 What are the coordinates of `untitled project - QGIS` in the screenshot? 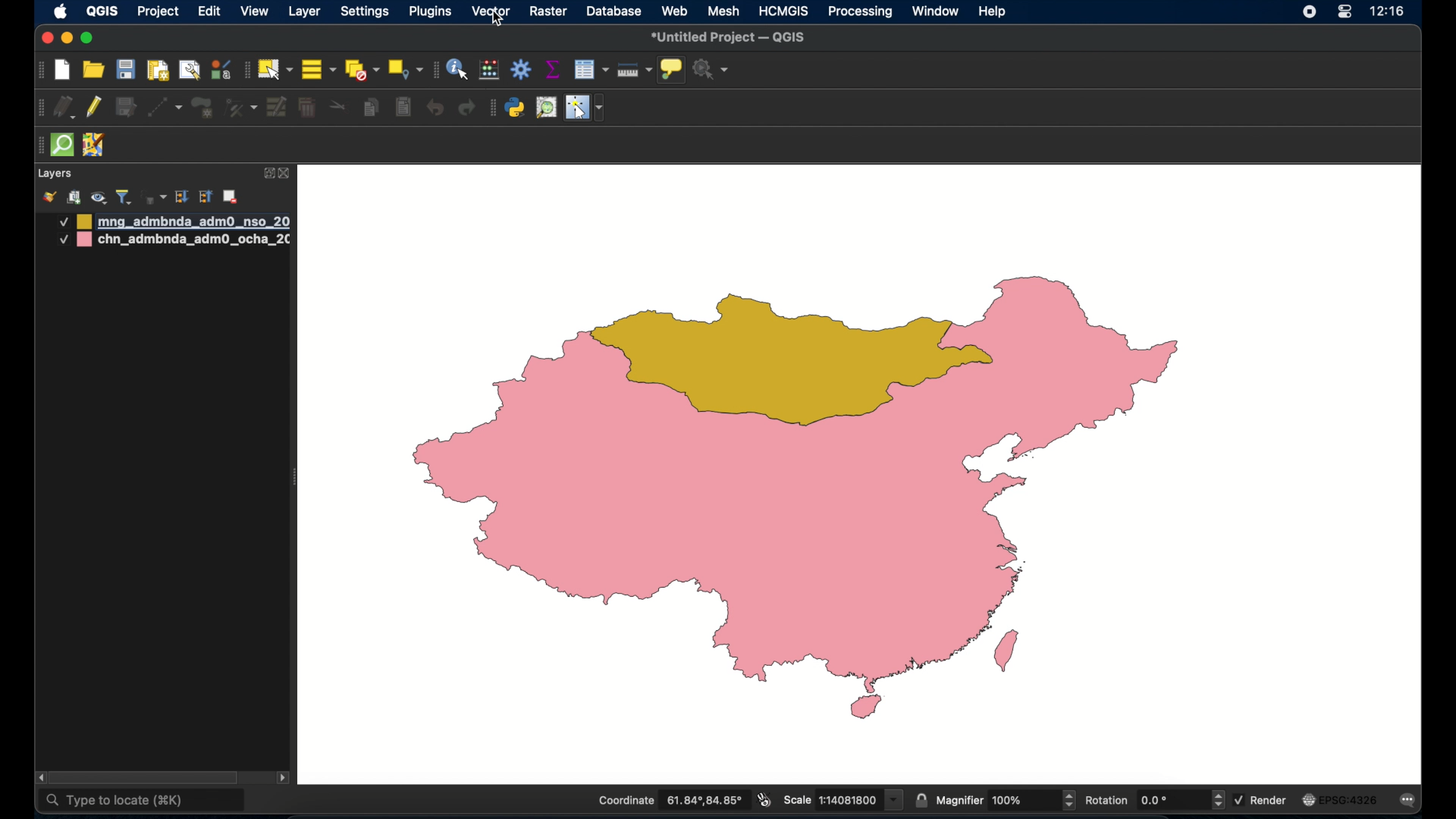 It's located at (730, 38).